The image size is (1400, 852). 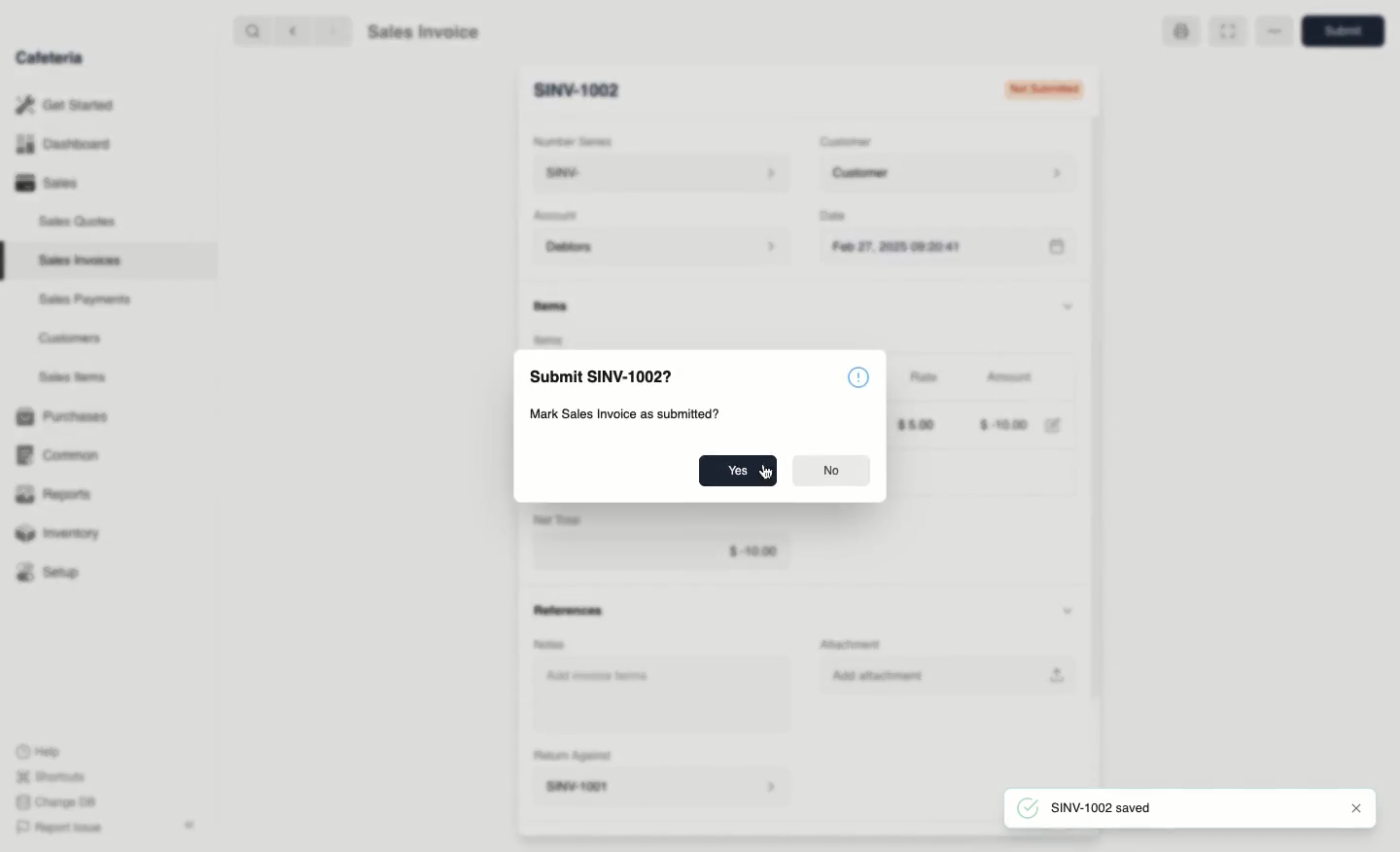 What do you see at coordinates (1227, 32) in the screenshot?
I see `Full width` at bounding box center [1227, 32].